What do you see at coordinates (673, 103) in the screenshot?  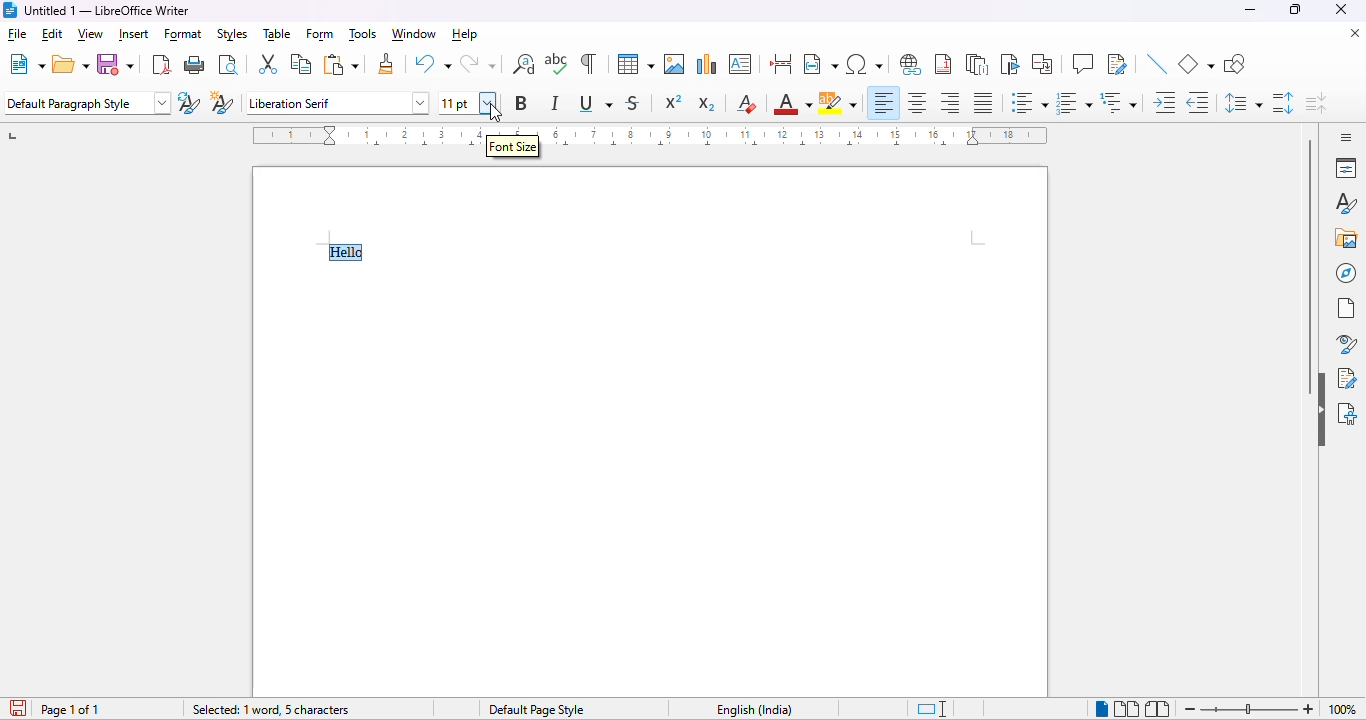 I see `superscript` at bounding box center [673, 103].